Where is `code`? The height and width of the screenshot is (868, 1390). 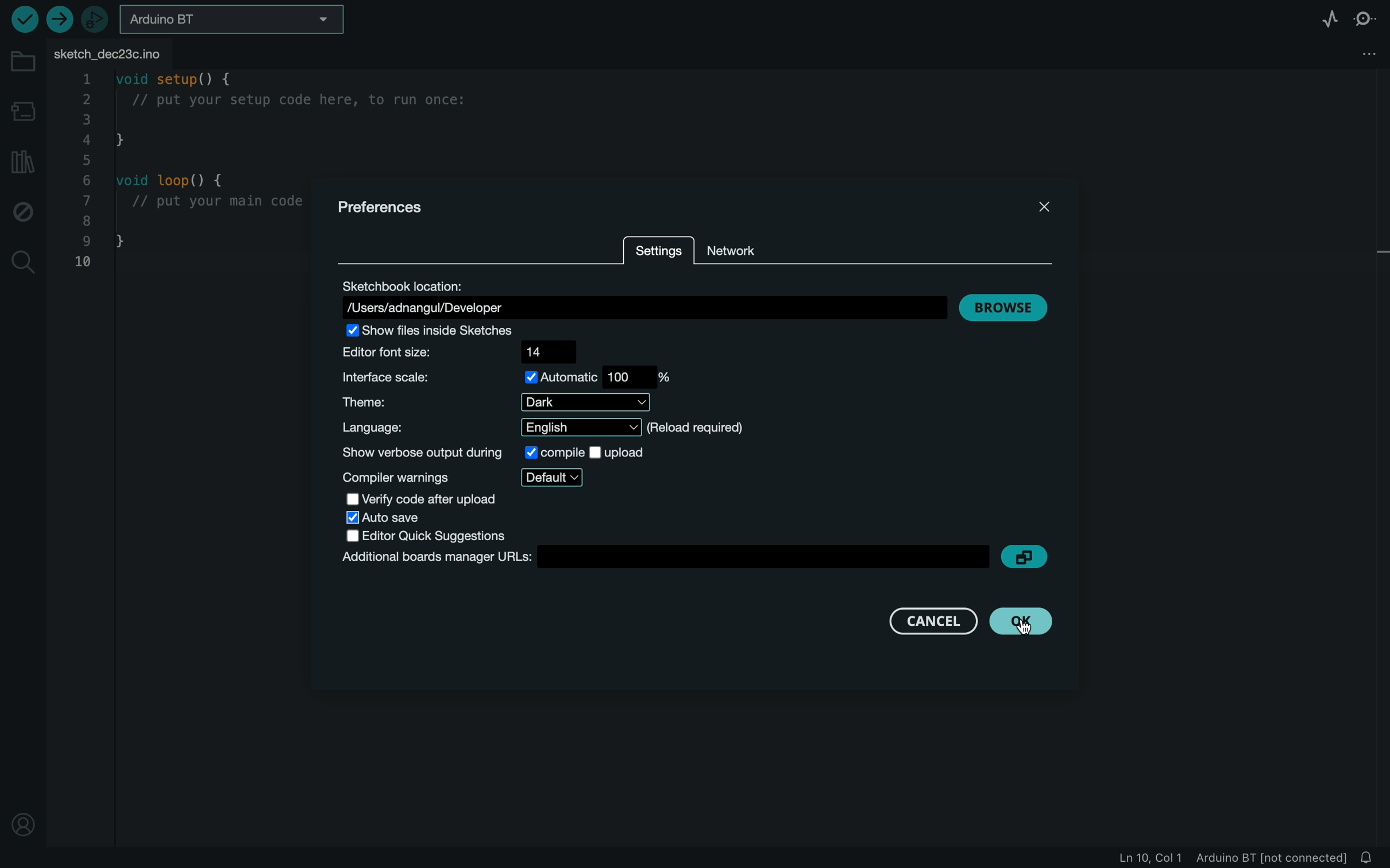 code is located at coordinates (186, 175).